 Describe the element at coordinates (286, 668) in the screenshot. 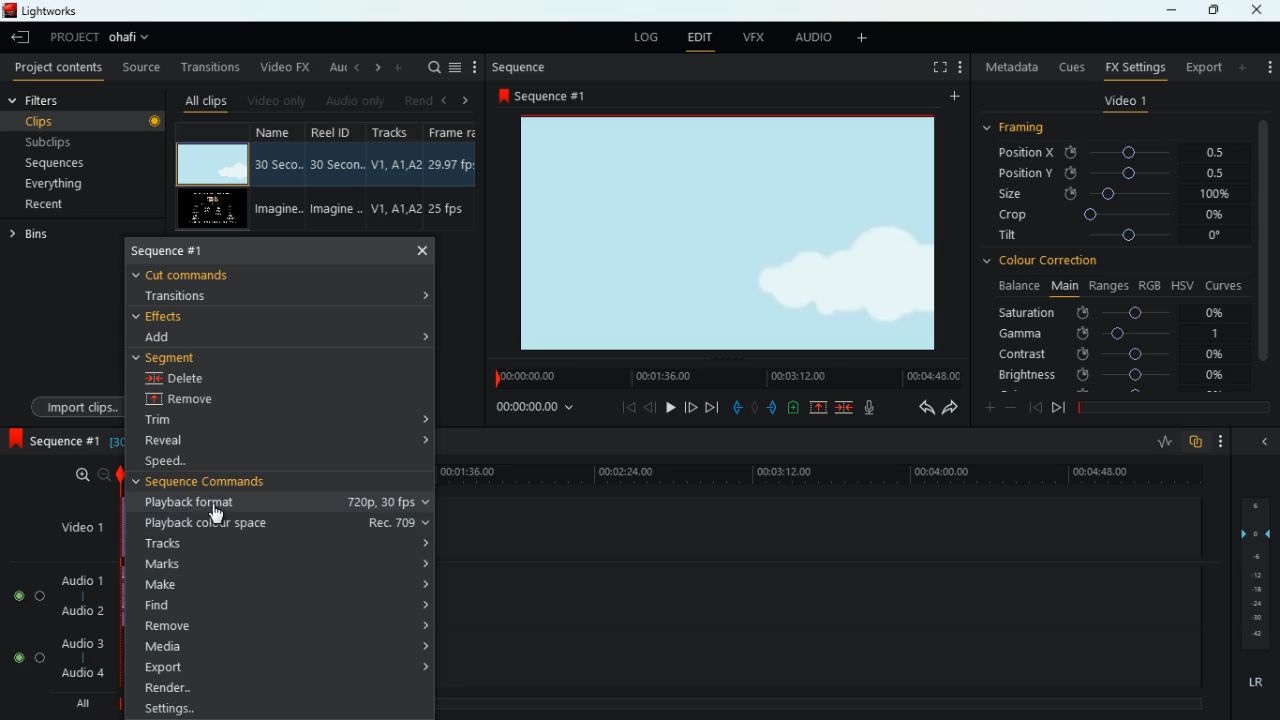

I see `export` at that location.